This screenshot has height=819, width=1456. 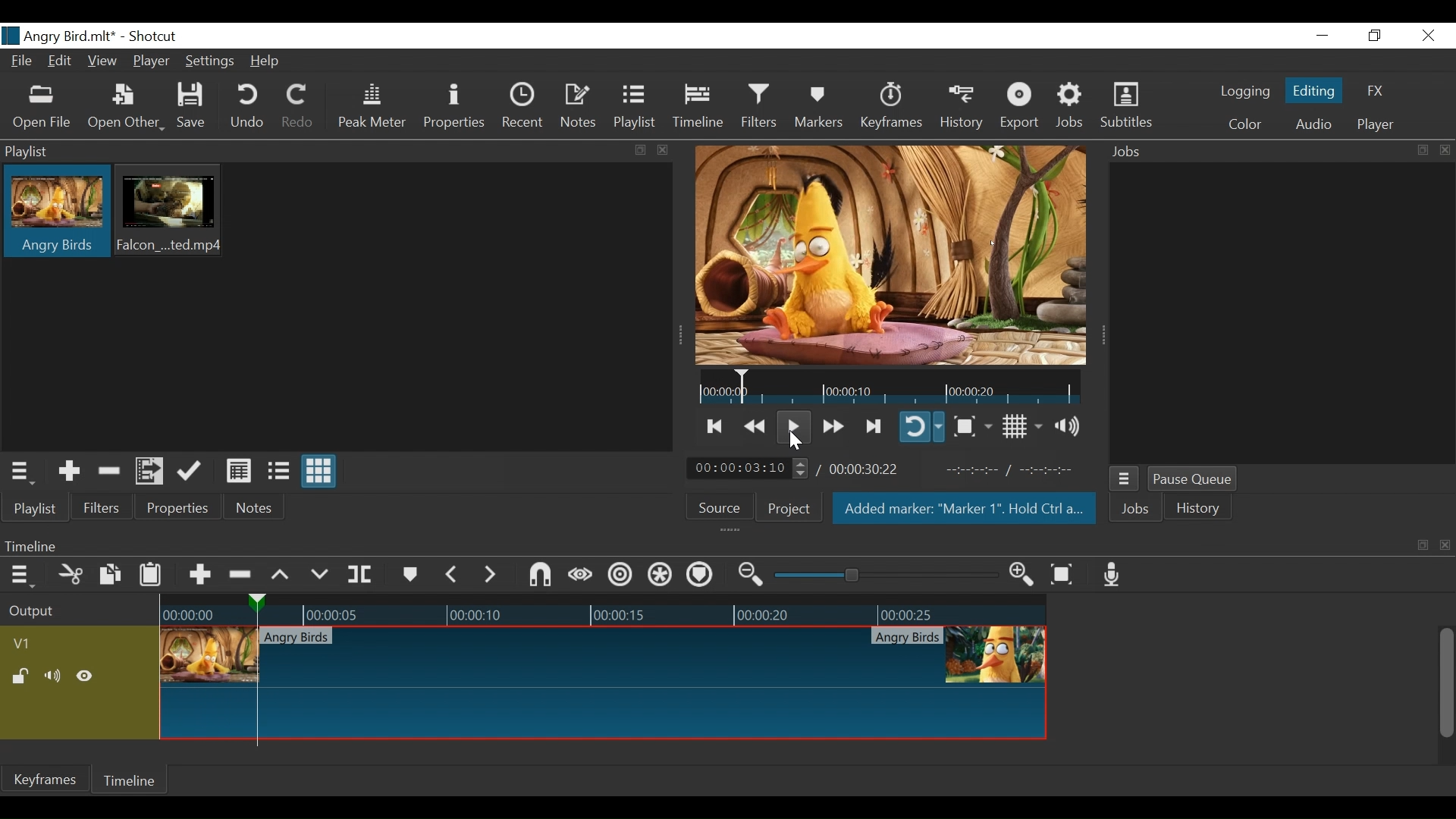 What do you see at coordinates (659, 576) in the screenshot?
I see `Ripple all tracks` at bounding box center [659, 576].